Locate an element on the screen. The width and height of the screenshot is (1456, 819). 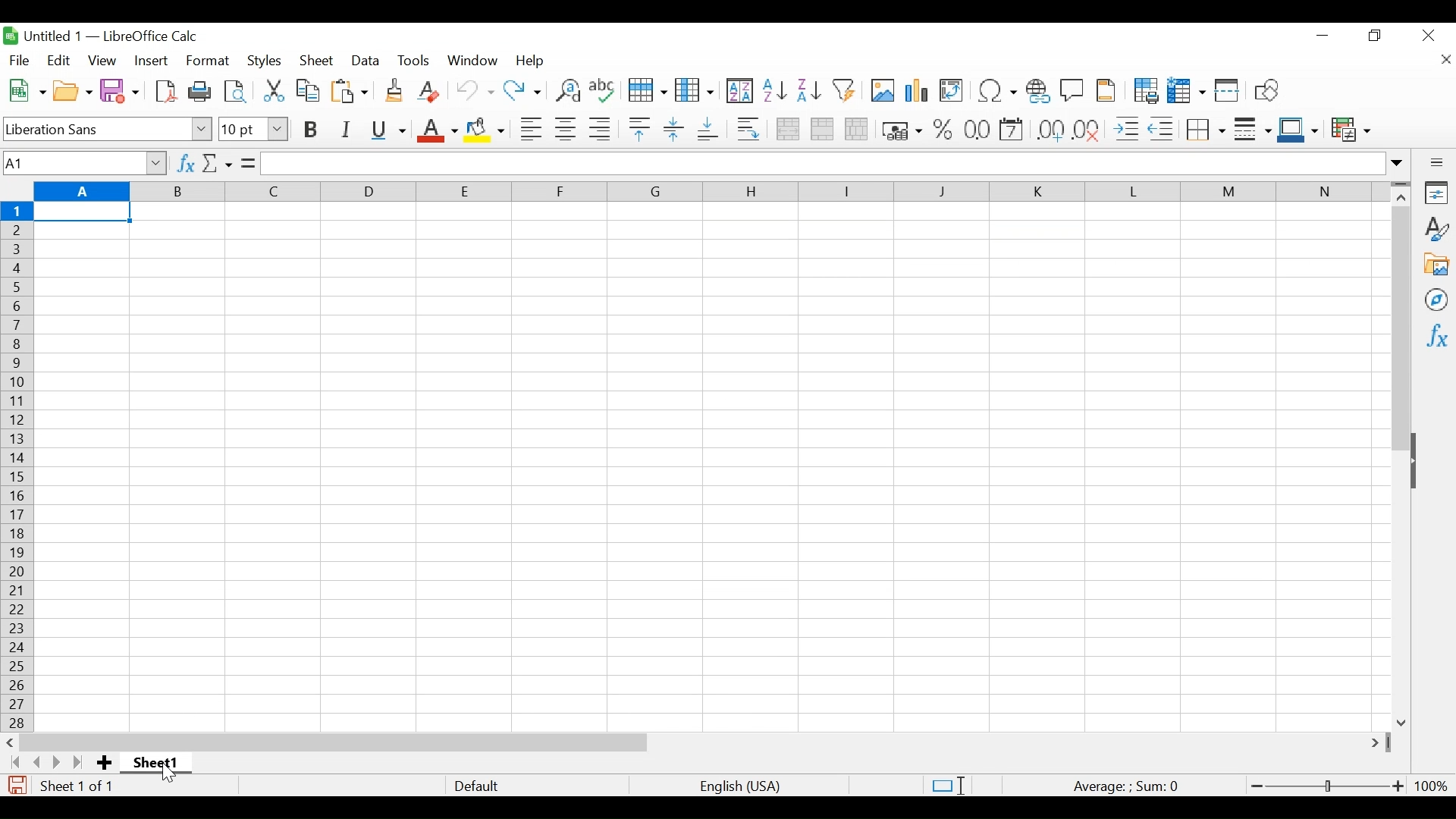
Format Percent is located at coordinates (943, 130).